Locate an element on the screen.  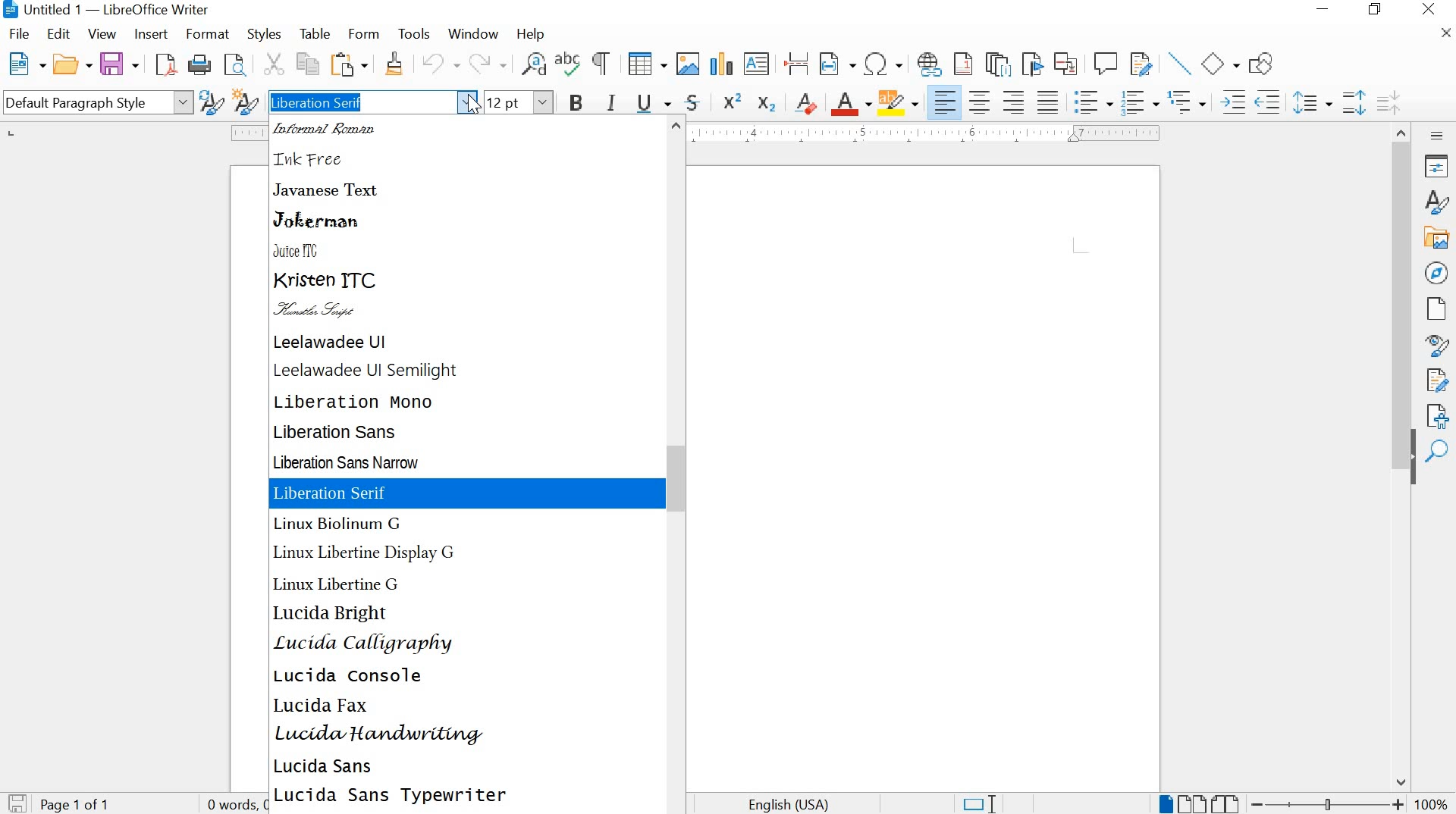
FORM is located at coordinates (363, 34).